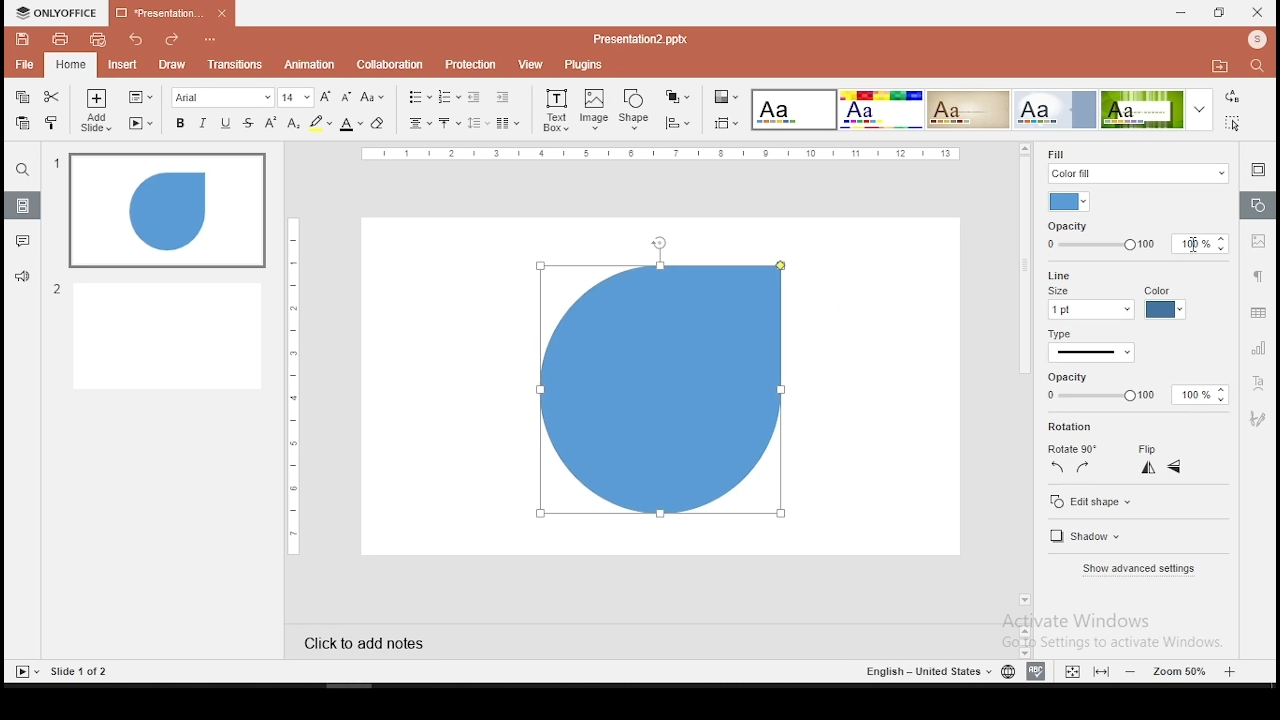 This screenshot has height=720, width=1280. What do you see at coordinates (167, 40) in the screenshot?
I see `redo` at bounding box center [167, 40].